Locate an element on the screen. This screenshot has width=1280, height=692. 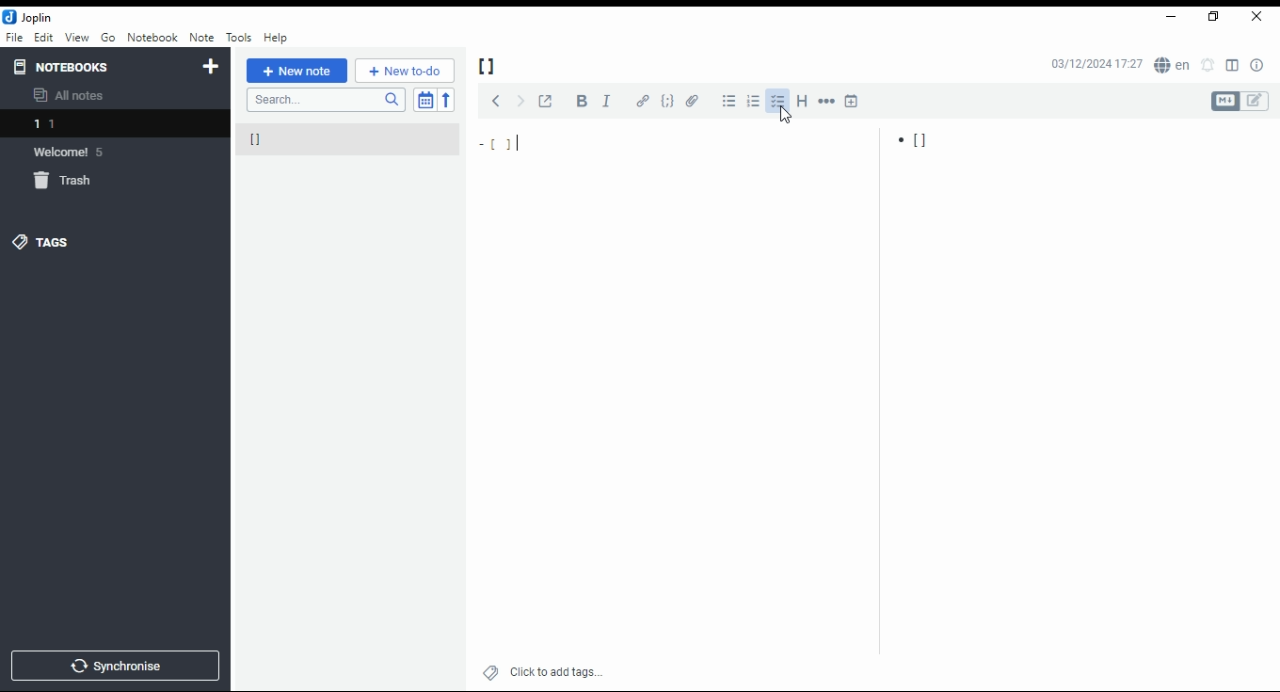
help is located at coordinates (276, 38).